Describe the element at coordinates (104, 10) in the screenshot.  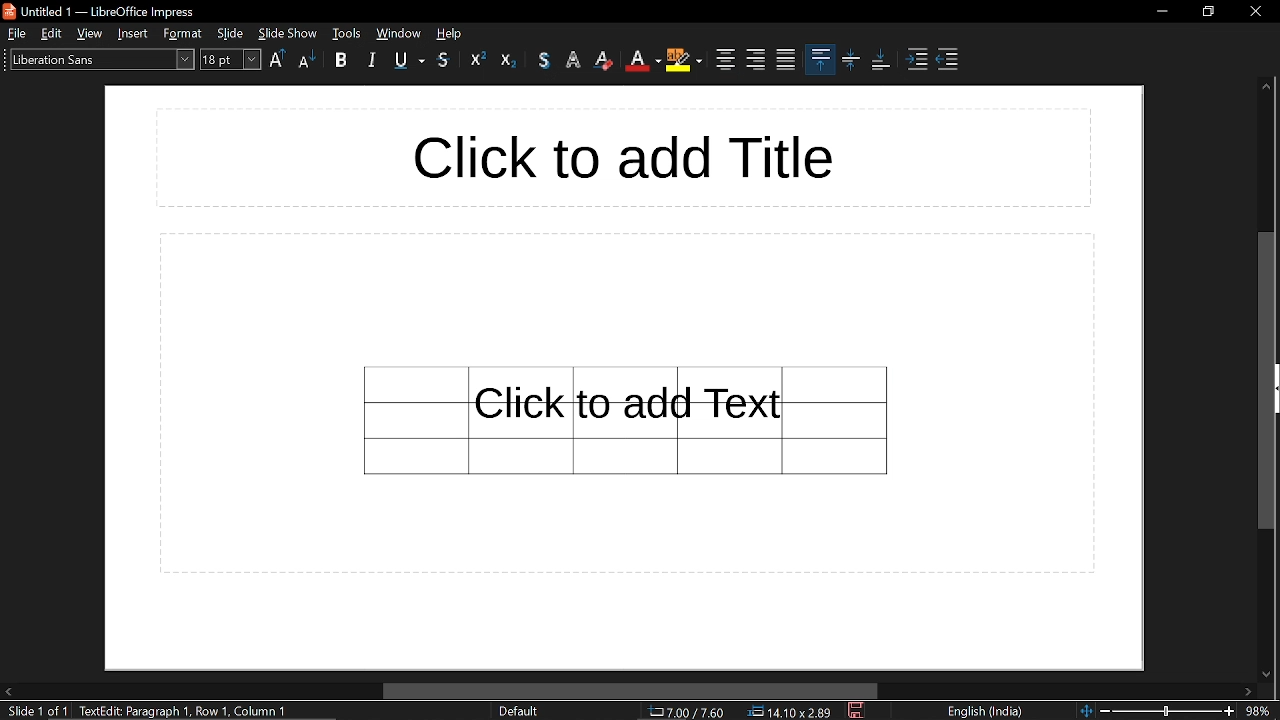
I see `untitled 1- libreoffice impress` at that location.